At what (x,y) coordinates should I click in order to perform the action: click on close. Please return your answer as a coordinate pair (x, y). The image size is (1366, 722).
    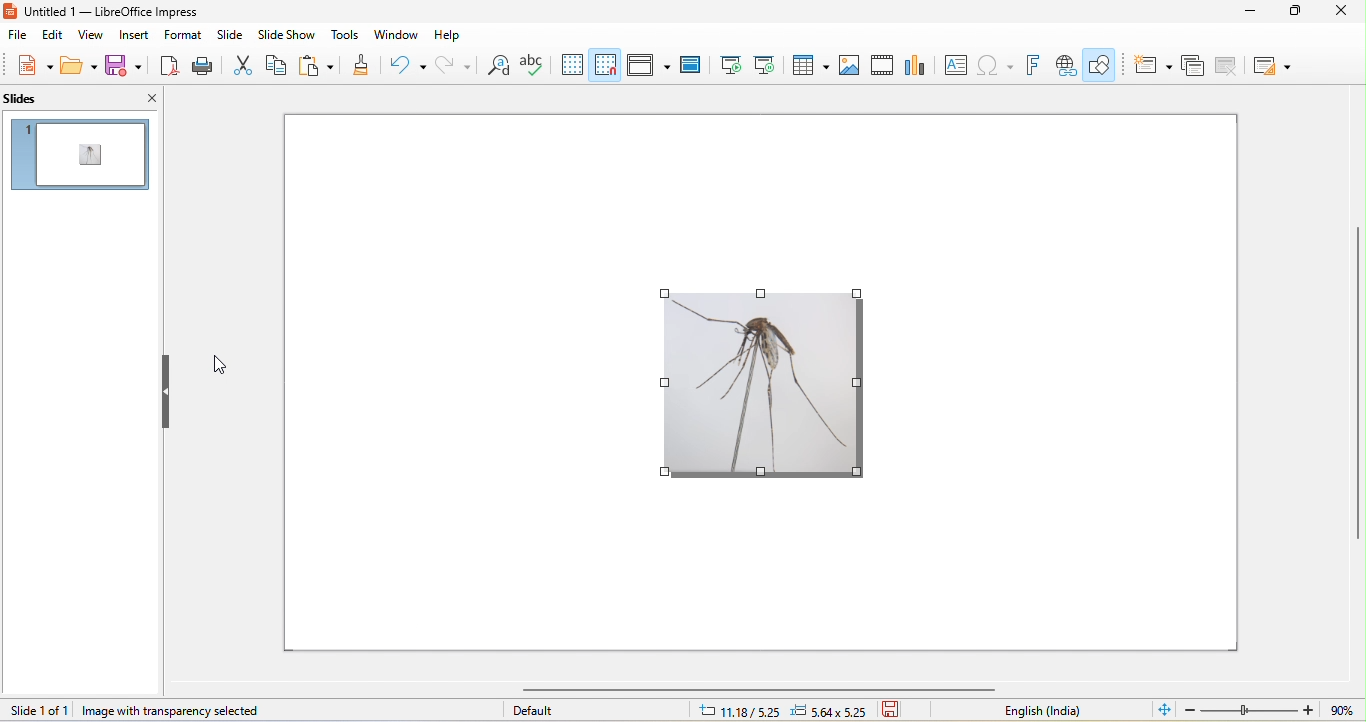
    Looking at the image, I should click on (149, 99).